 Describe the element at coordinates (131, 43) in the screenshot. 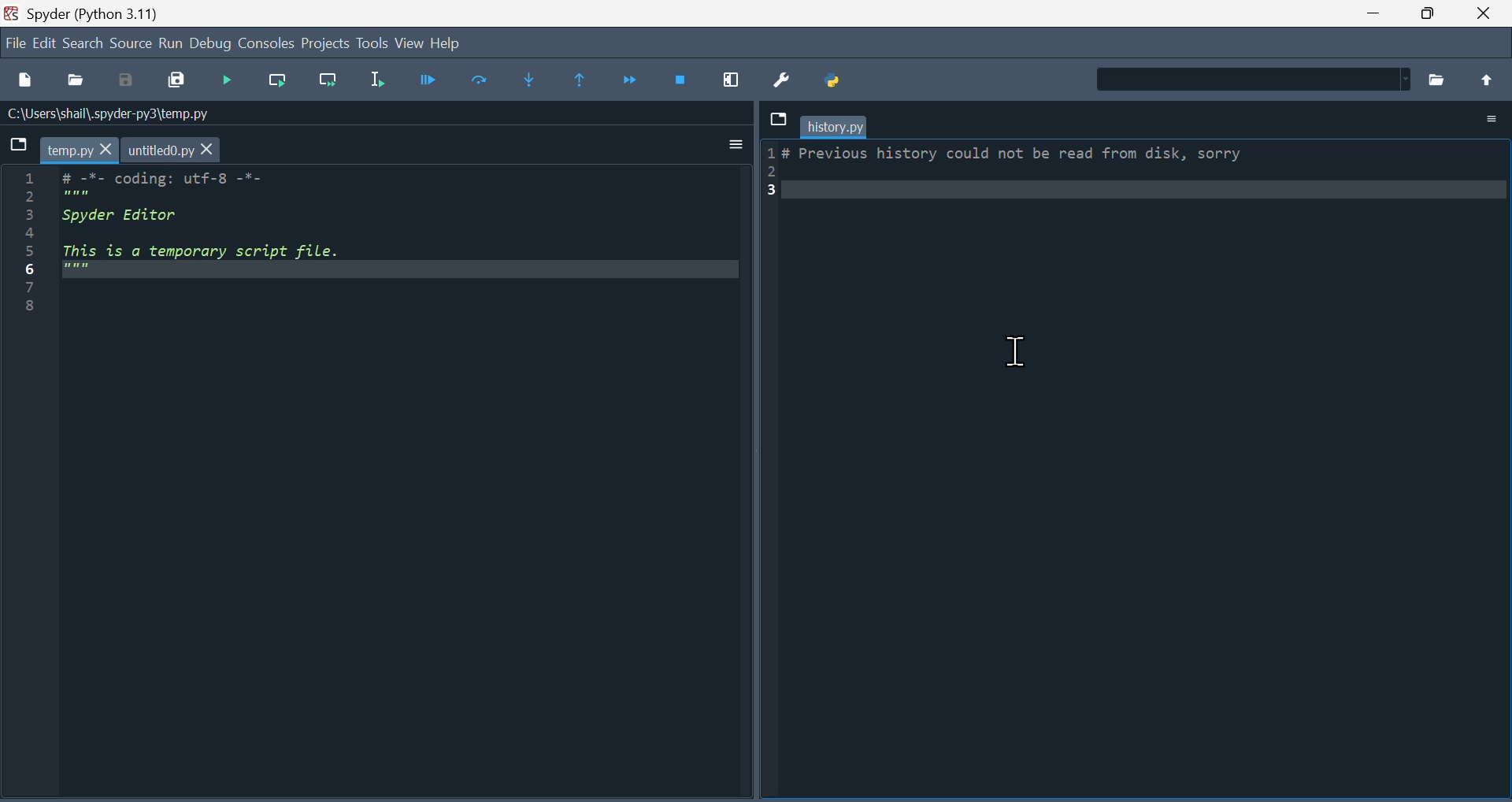

I see `source` at that location.